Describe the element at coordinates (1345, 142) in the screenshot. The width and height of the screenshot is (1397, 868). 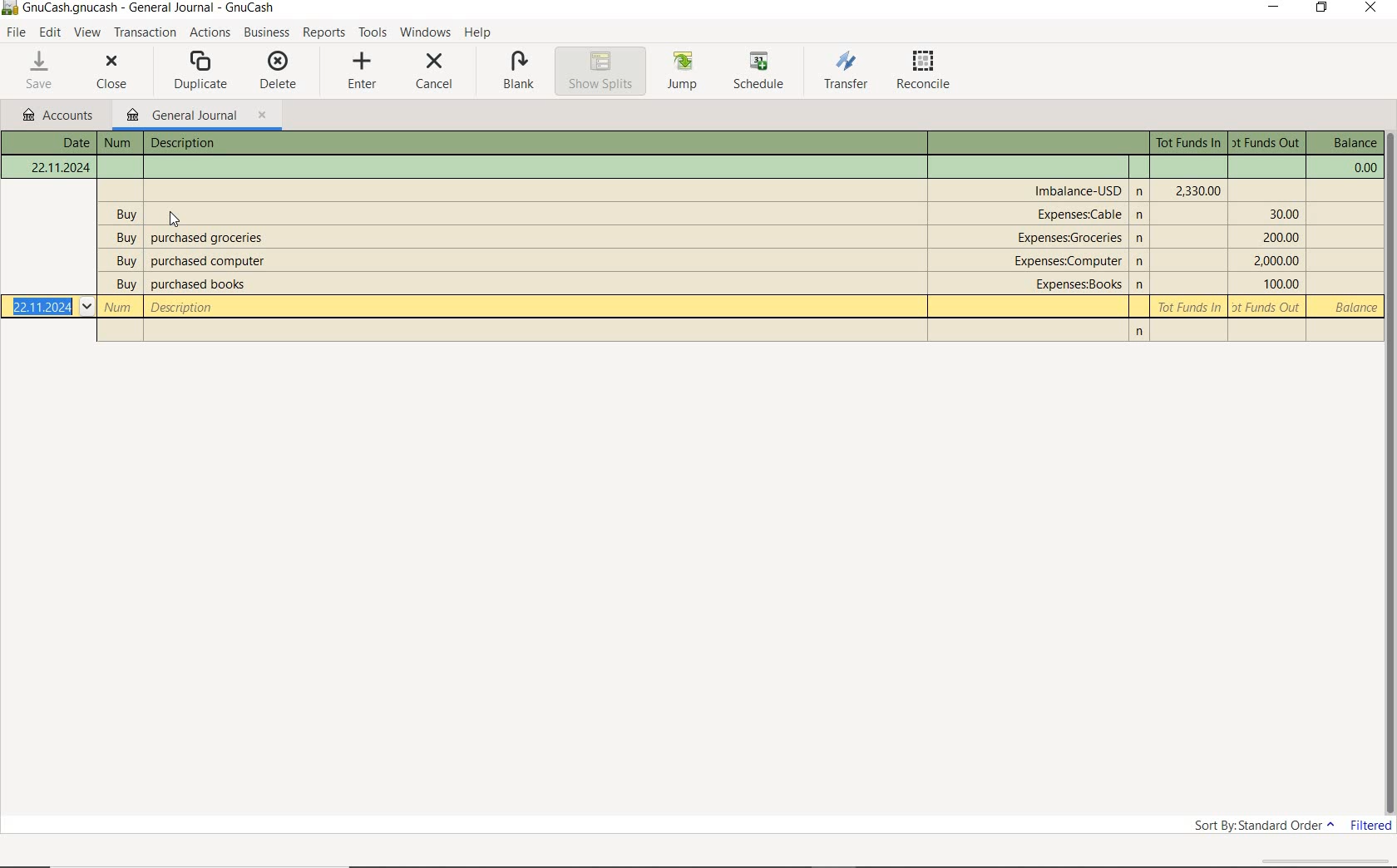
I see `Text` at that location.